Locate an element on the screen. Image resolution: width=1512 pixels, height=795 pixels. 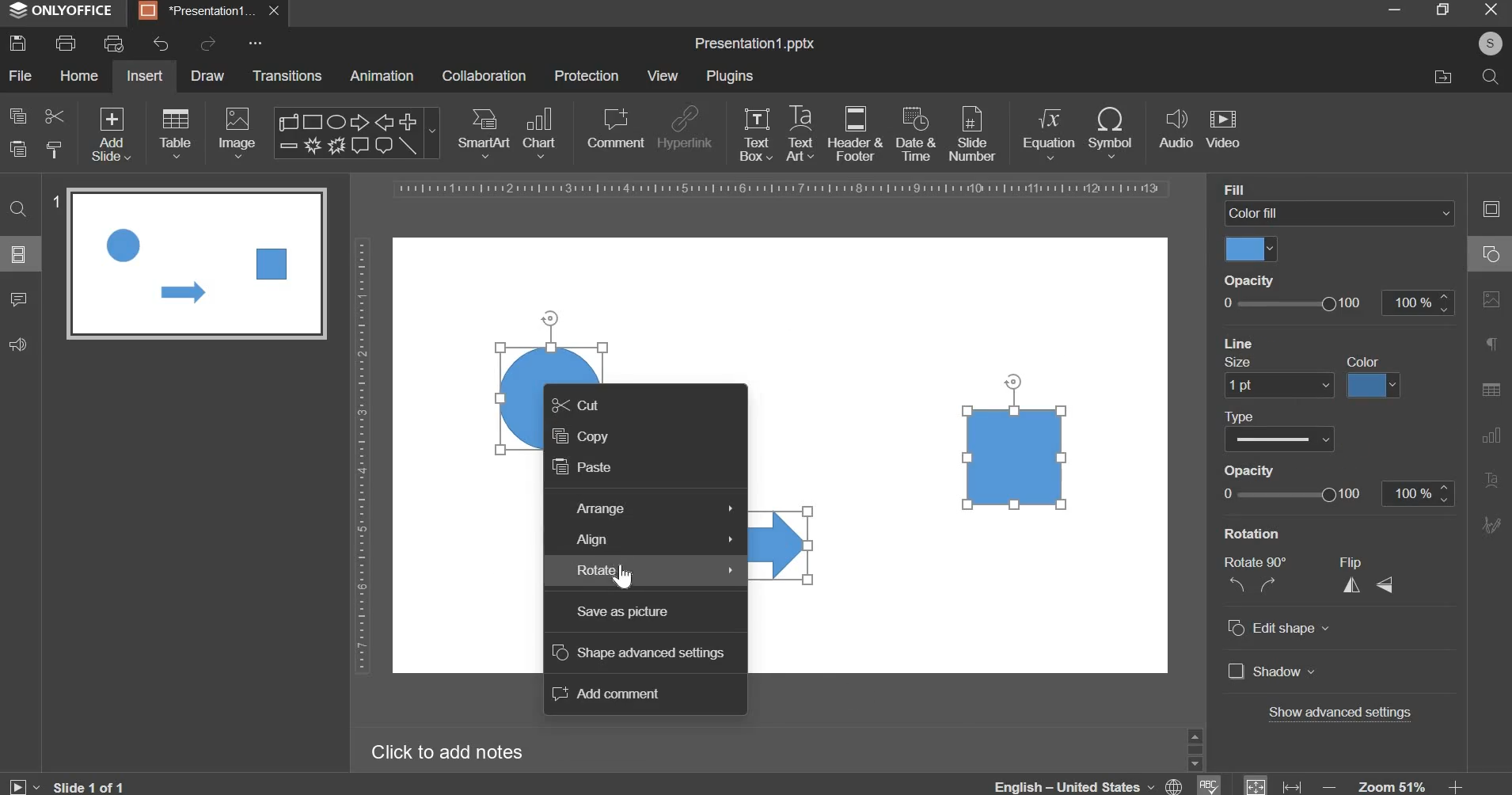
vertical slider is located at coordinates (1195, 748).